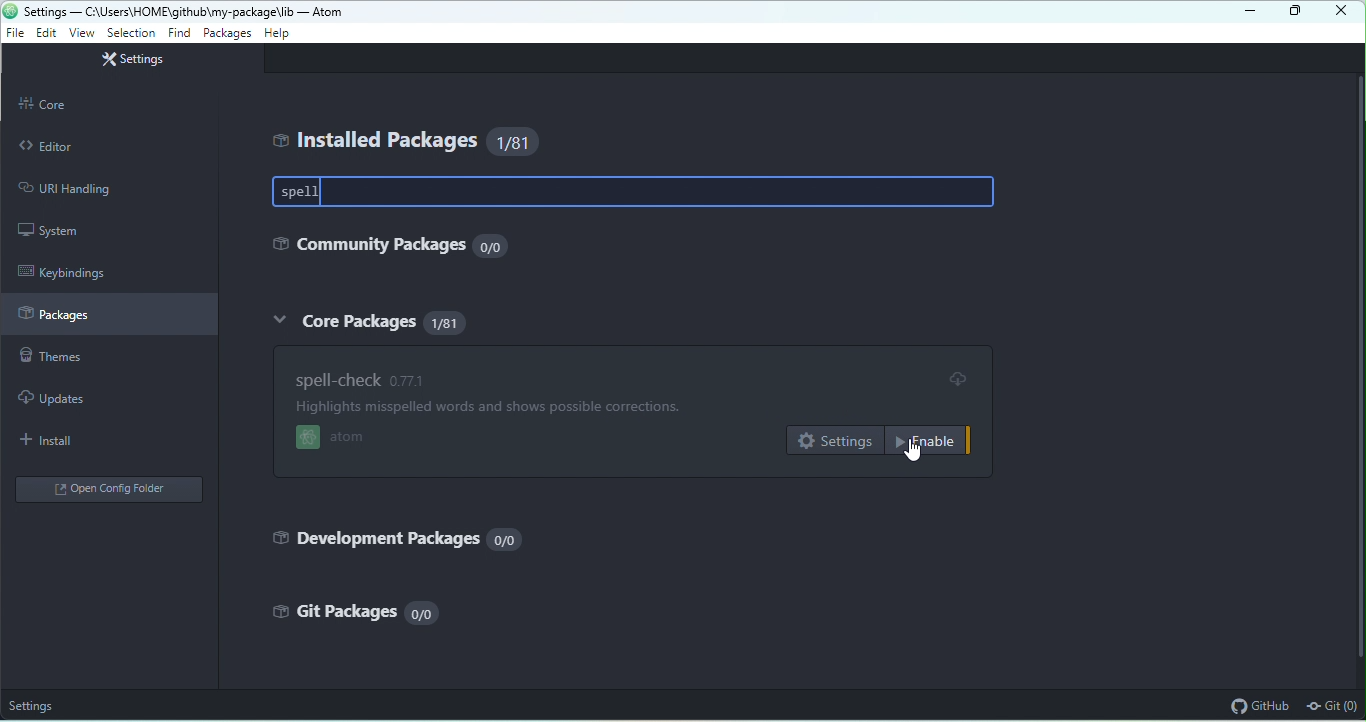  Describe the element at coordinates (111, 492) in the screenshot. I see `open config folder` at that location.